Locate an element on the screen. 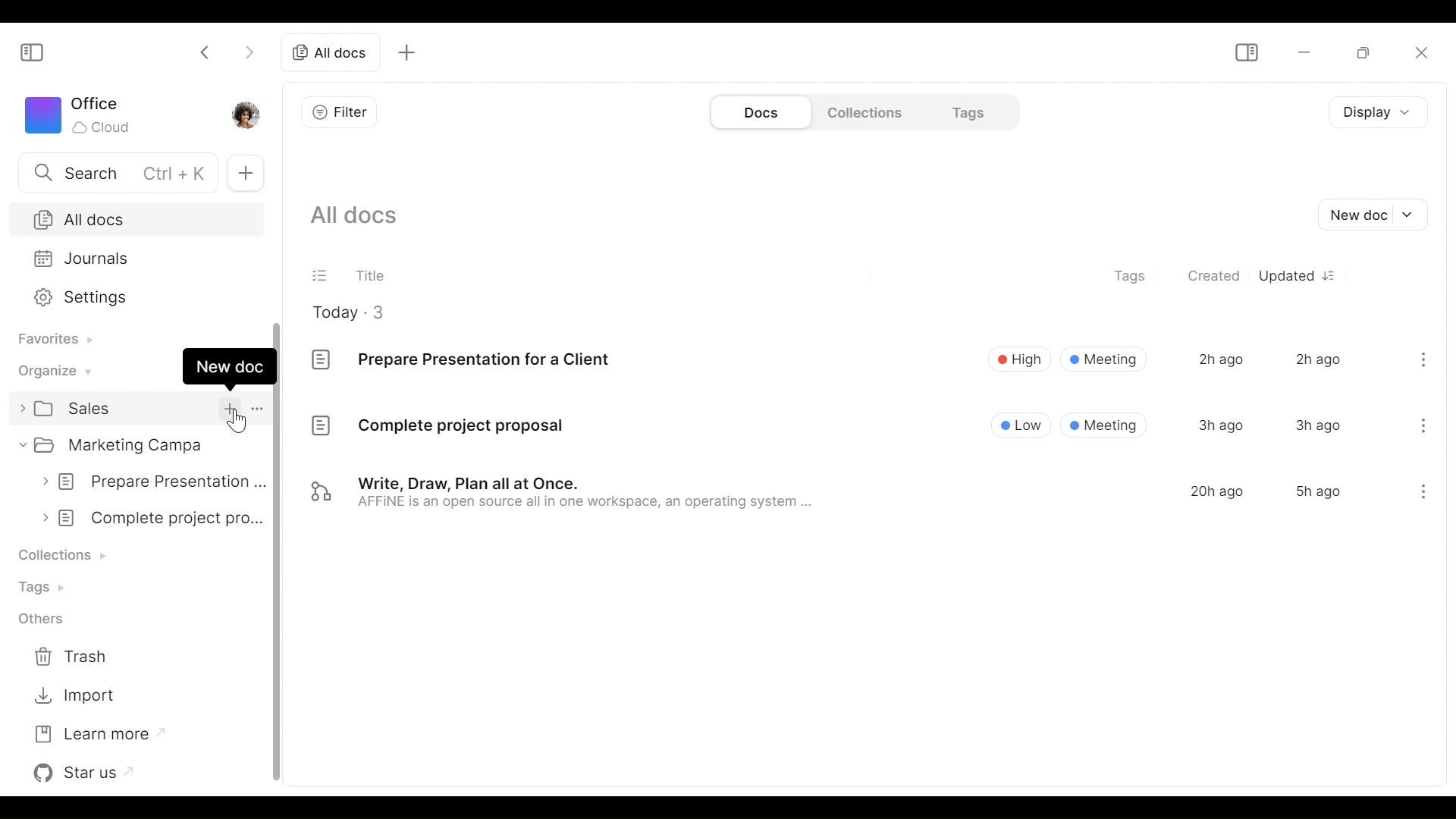 The image size is (1456, 819). (un)select is located at coordinates (321, 274).